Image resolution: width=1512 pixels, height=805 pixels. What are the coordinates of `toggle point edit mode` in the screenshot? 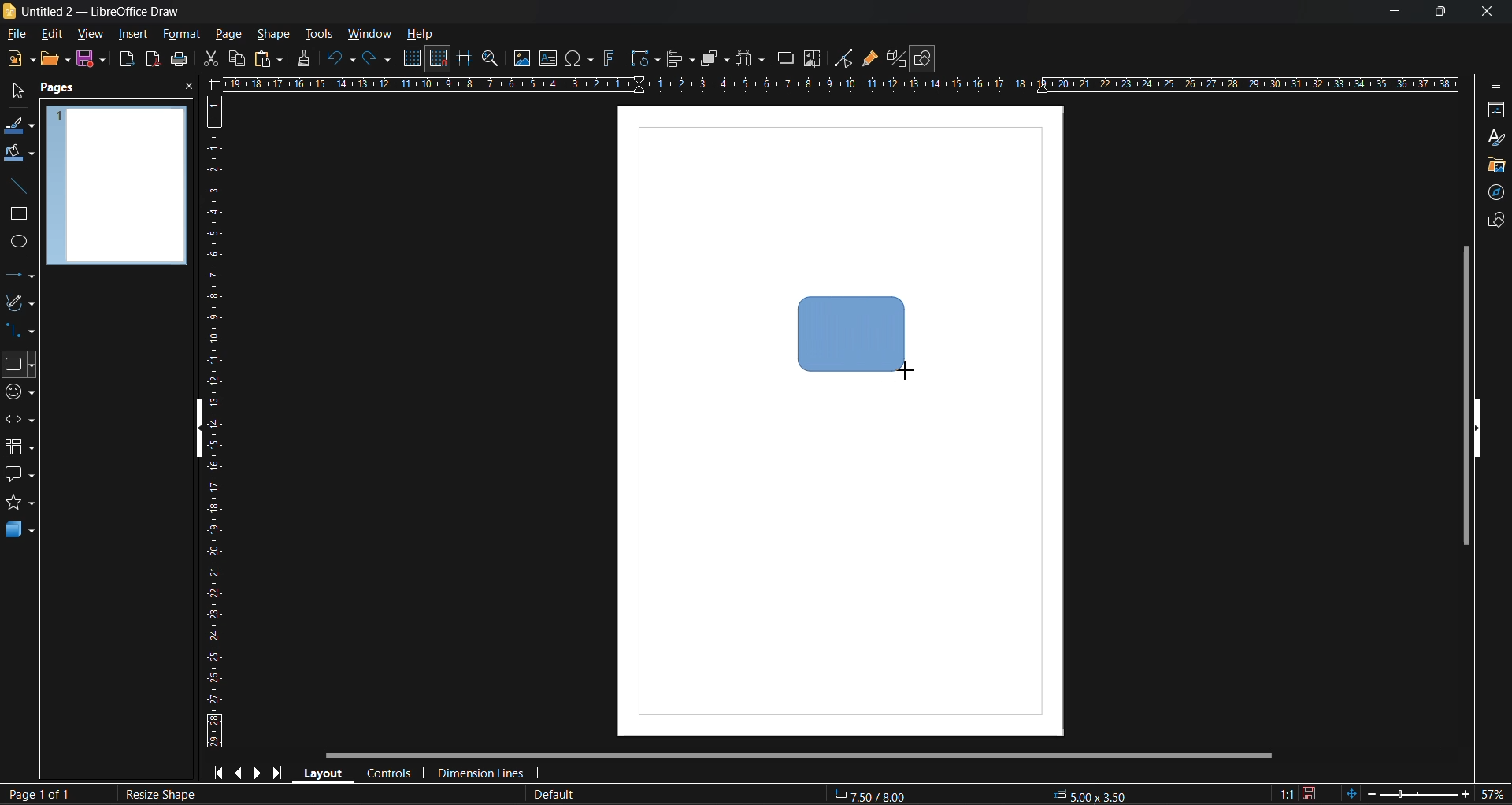 It's located at (846, 59).